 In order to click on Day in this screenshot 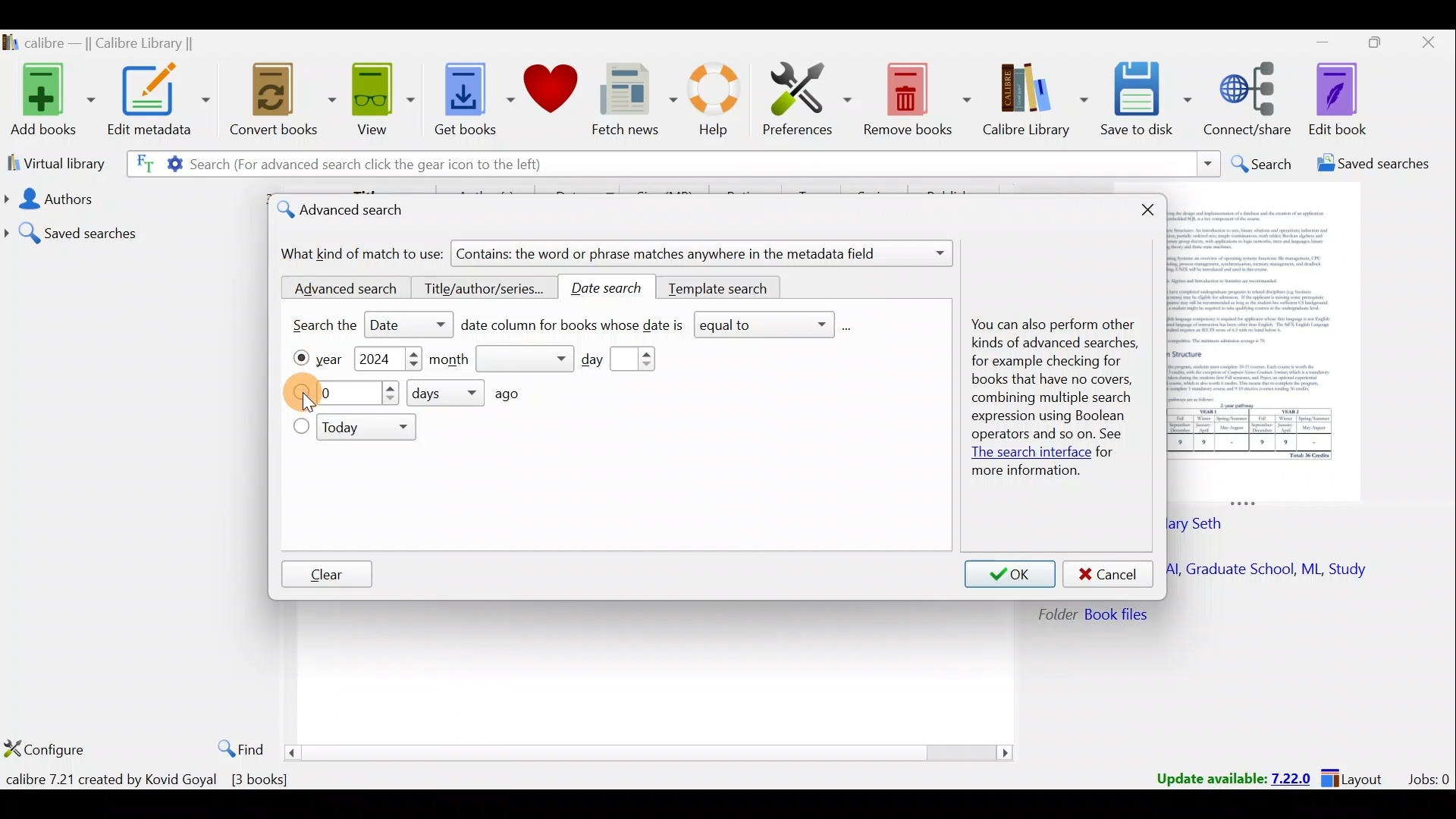, I will do `click(629, 359)`.